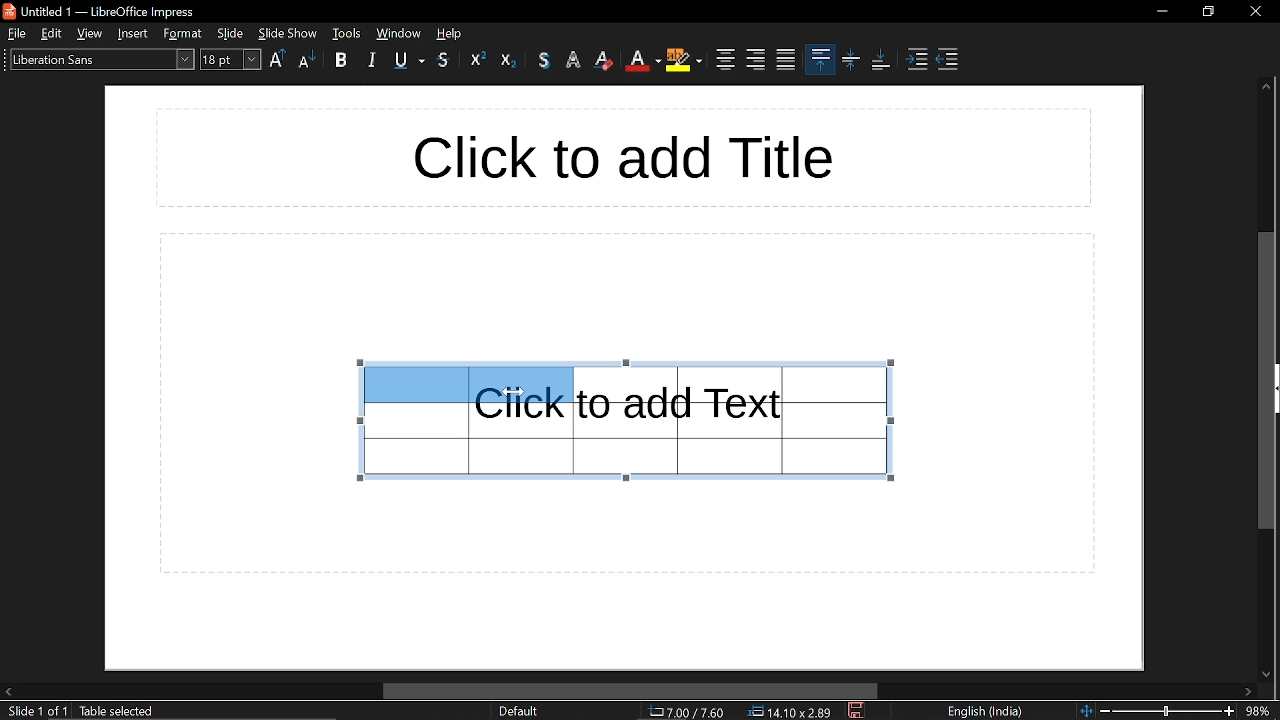  I want to click on window, so click(347, 33).